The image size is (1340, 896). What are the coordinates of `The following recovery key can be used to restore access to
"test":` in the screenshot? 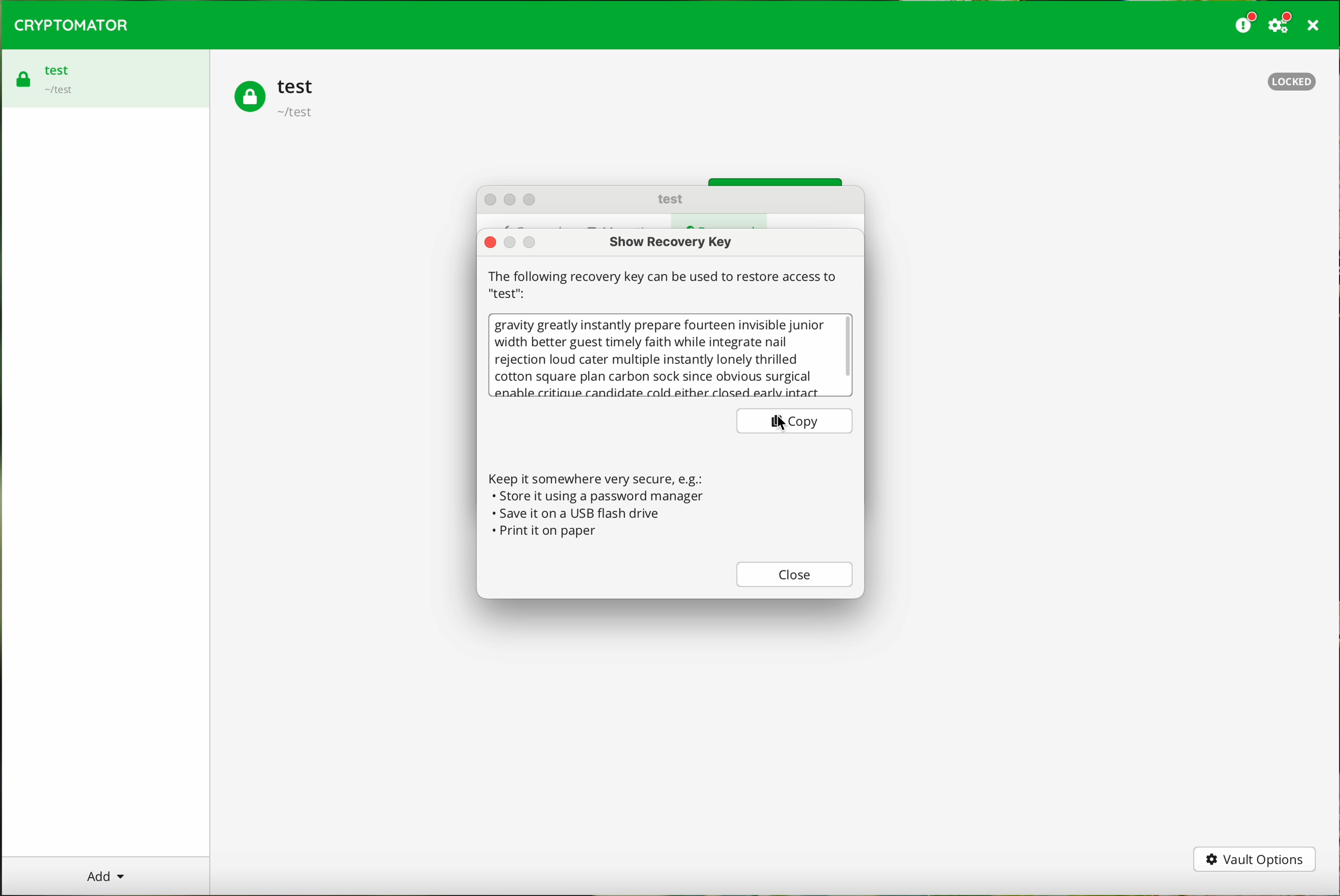 It's located at (665, 284).